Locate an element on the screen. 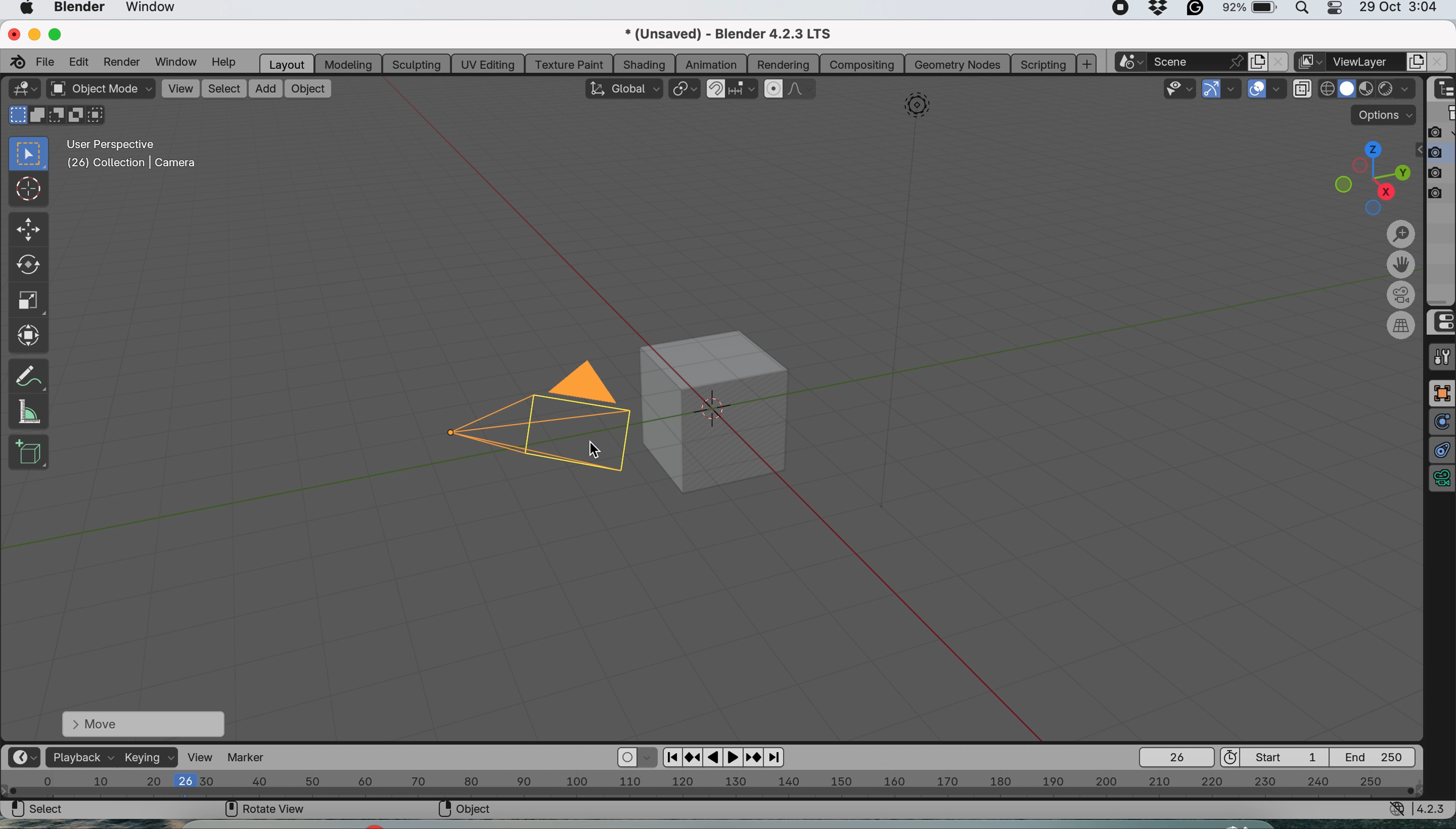 Image resolution: width=1456 pixels, height=829 pixels. modeling is located at coordinates (346, 63).